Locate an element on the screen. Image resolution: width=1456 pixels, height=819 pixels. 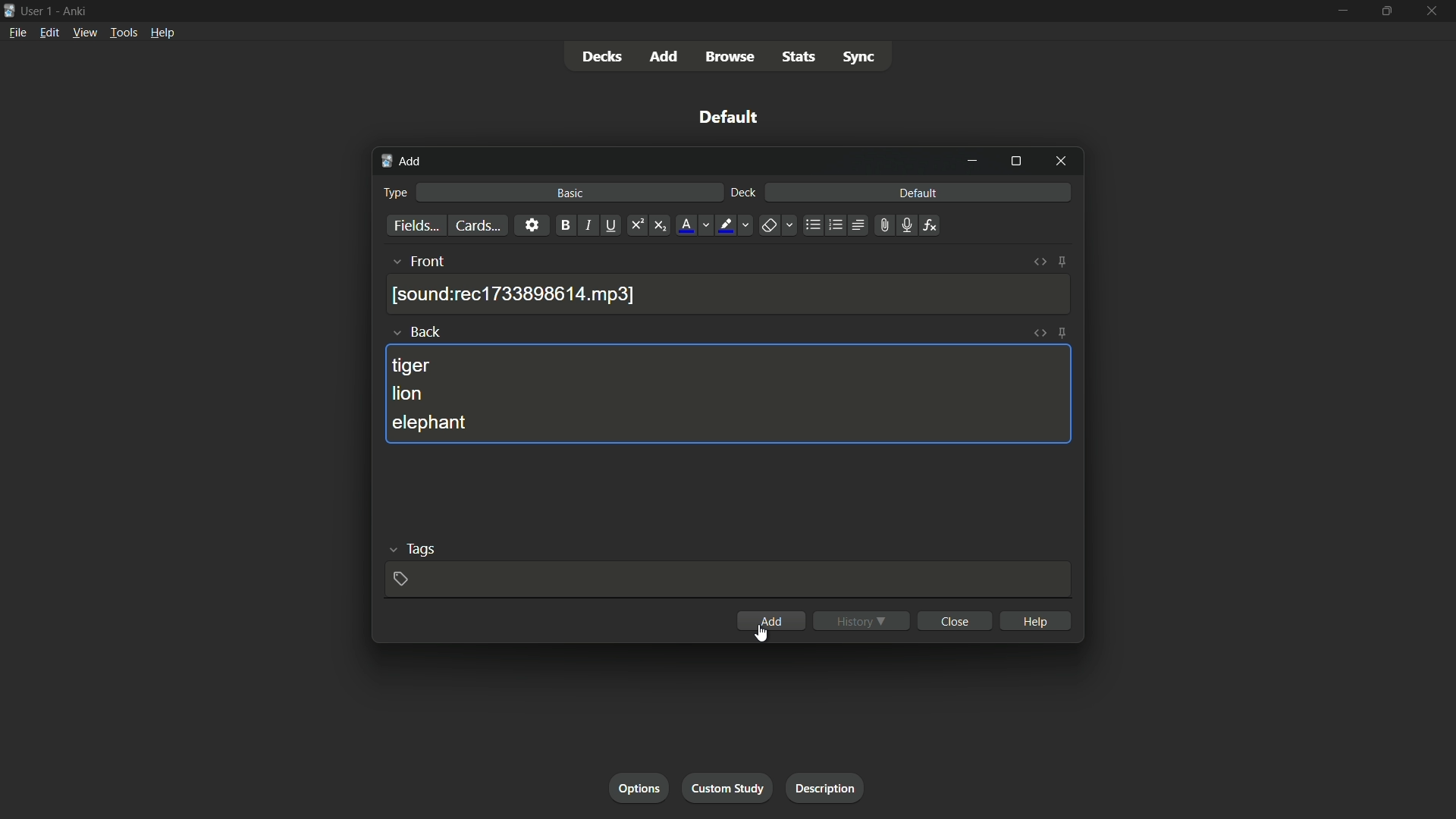
app name is located at coordinates (74, 11).